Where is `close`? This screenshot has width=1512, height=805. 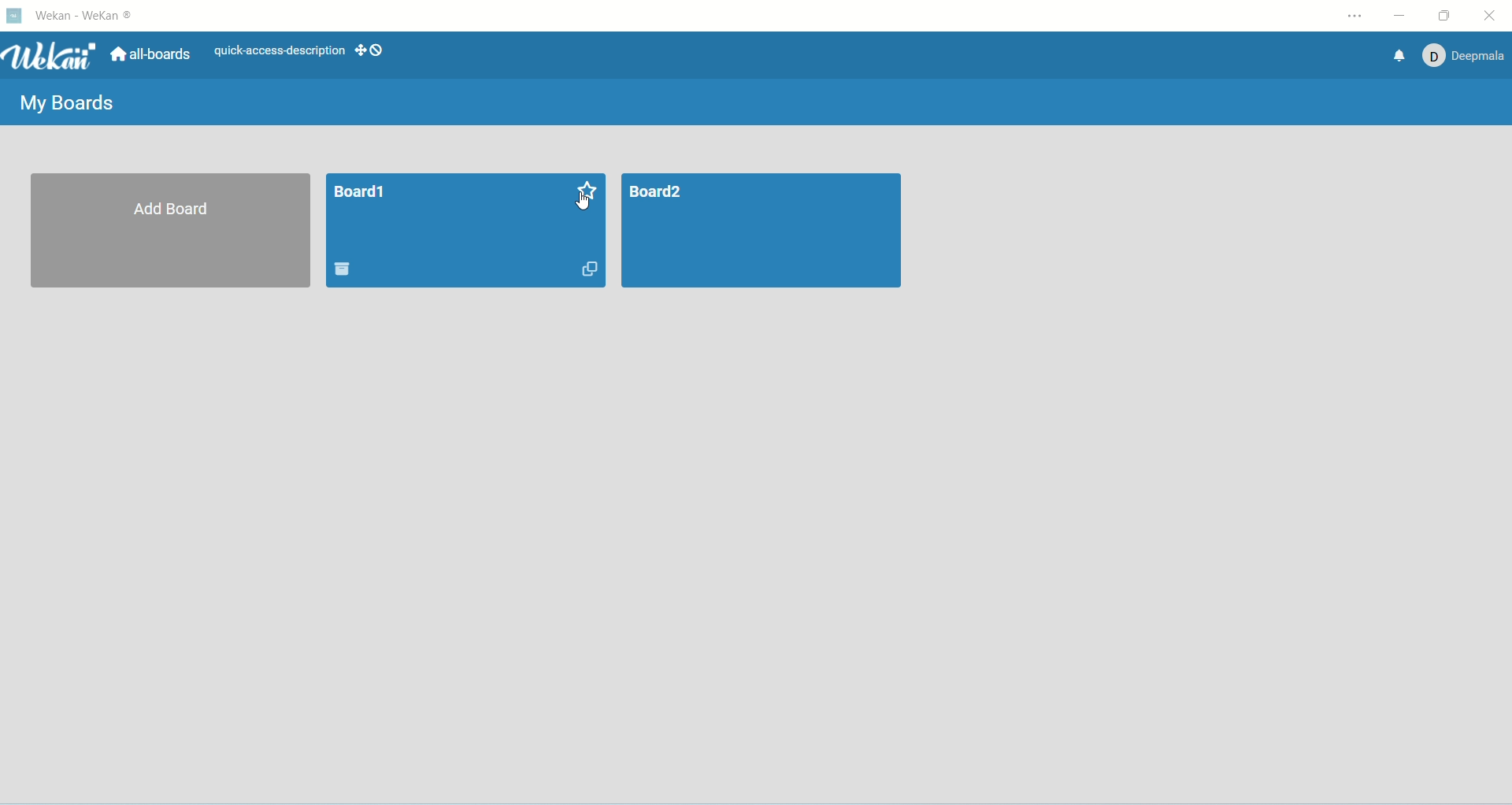
close is located at coordinates (1491, 16).